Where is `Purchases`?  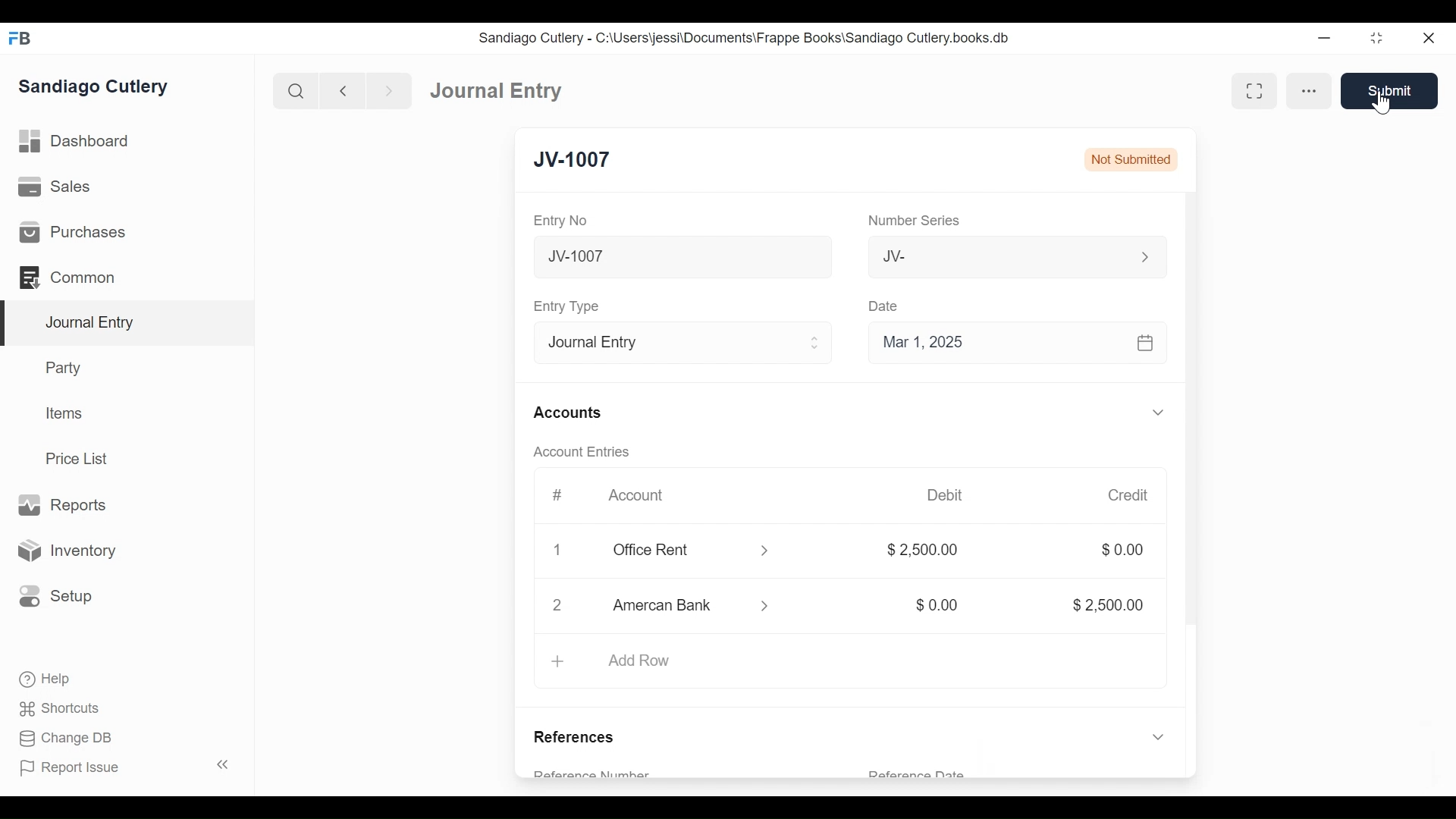 Purchases is located at coordinates (127, 231).